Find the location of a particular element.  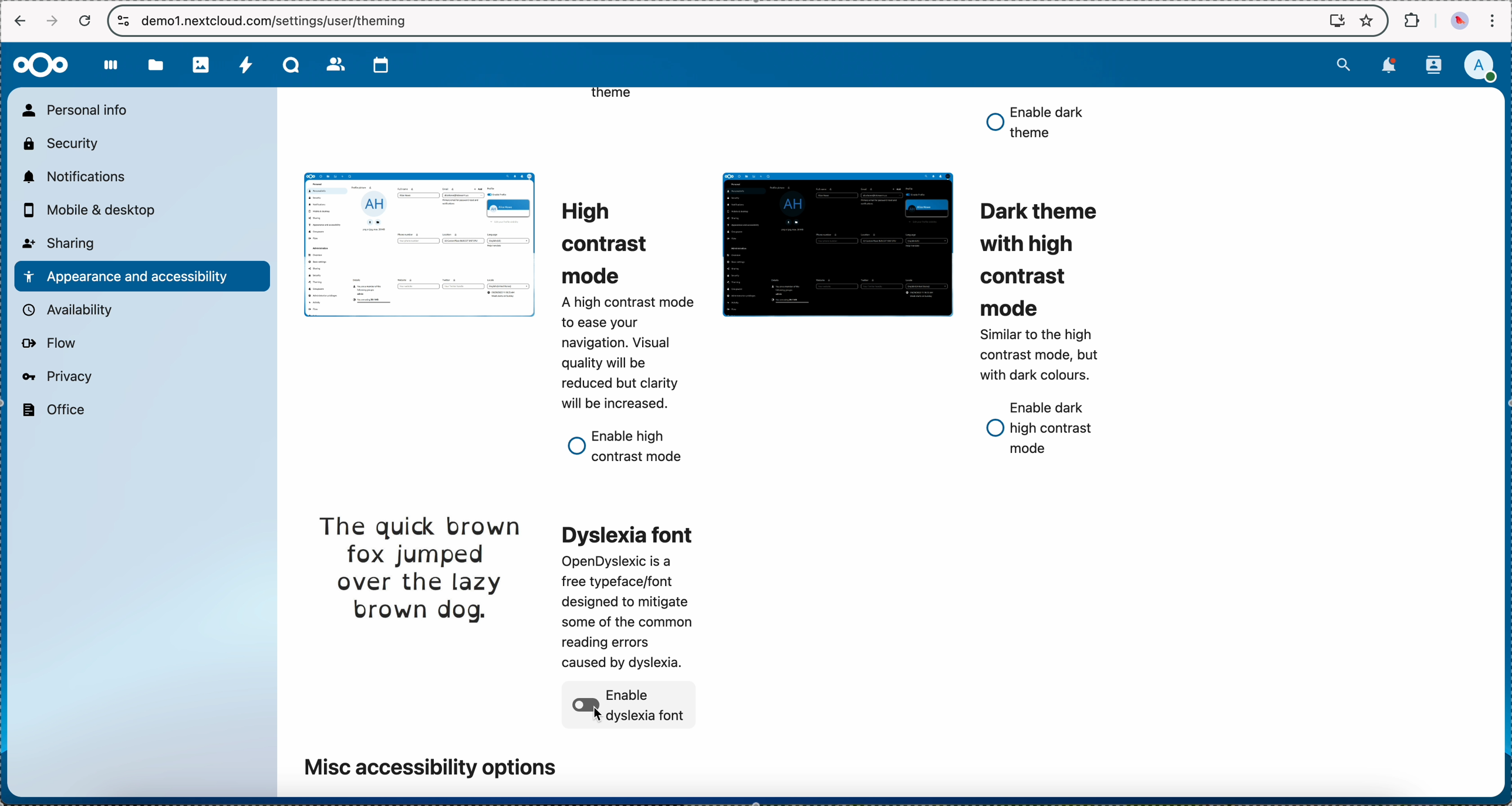

click on enable dyslexia font option is located at coordinates (632, 706).